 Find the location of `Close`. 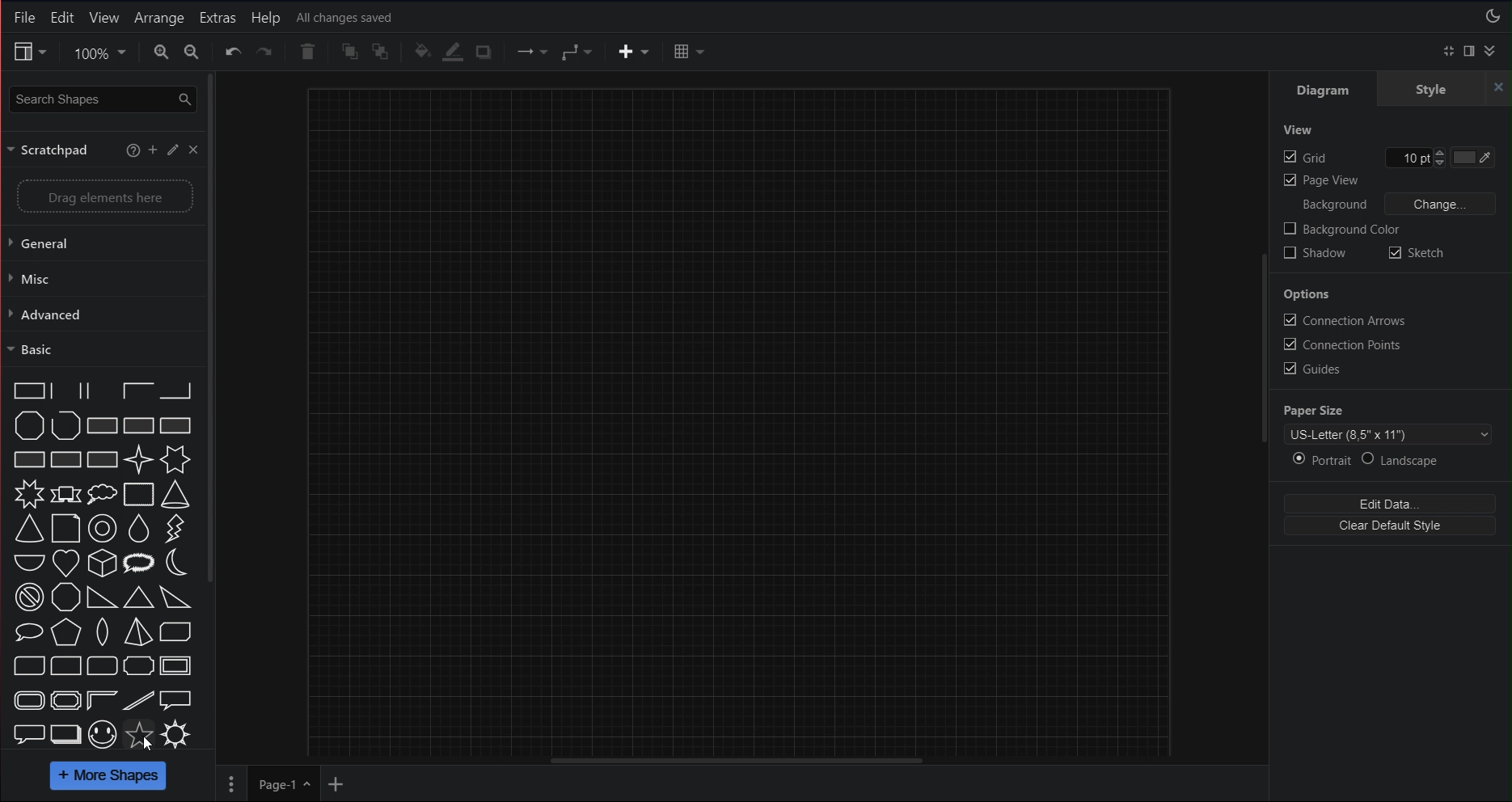

Close is located at coordinates (194, 150).